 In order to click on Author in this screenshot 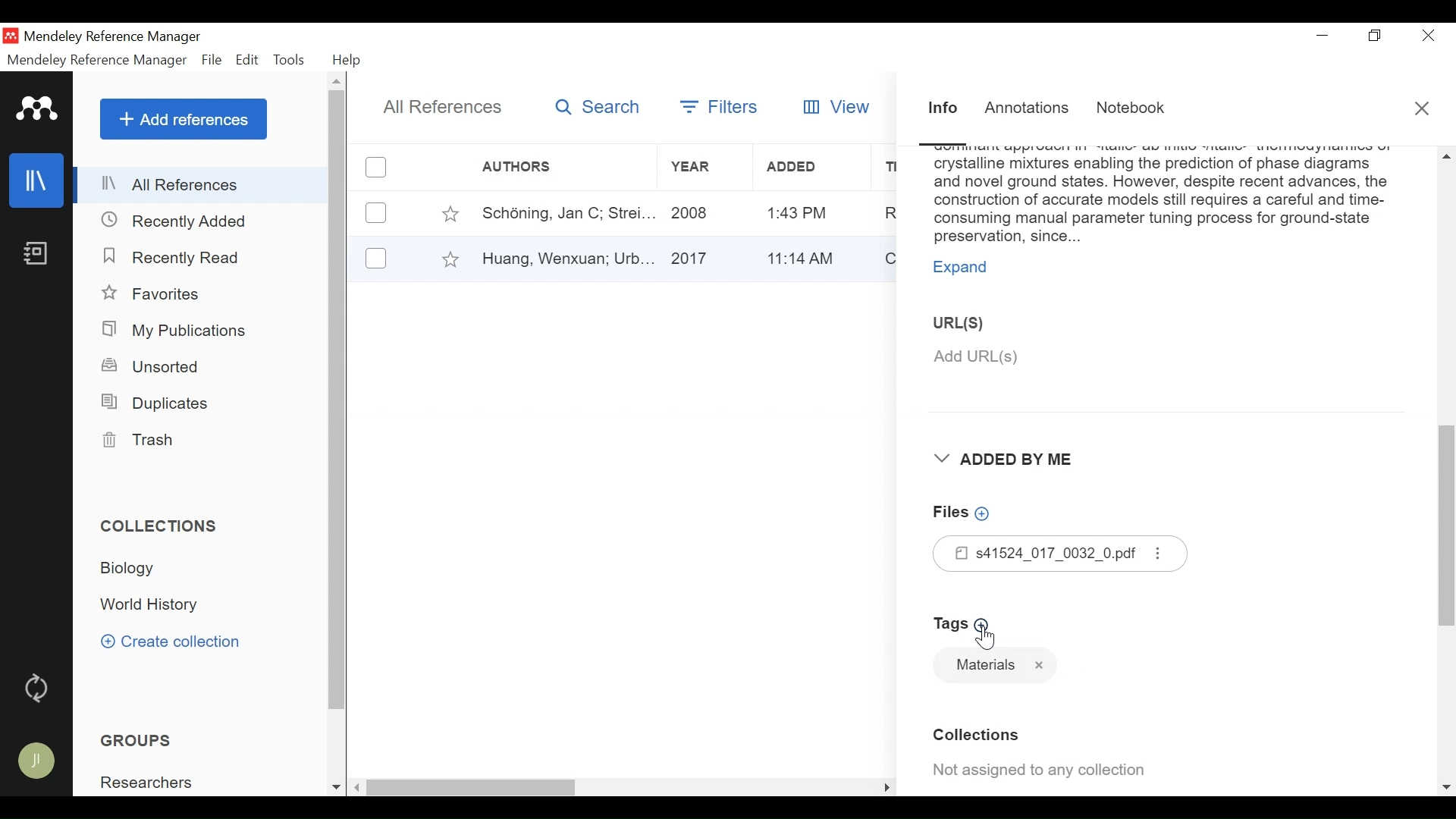, I will do `click(566, 257)`.